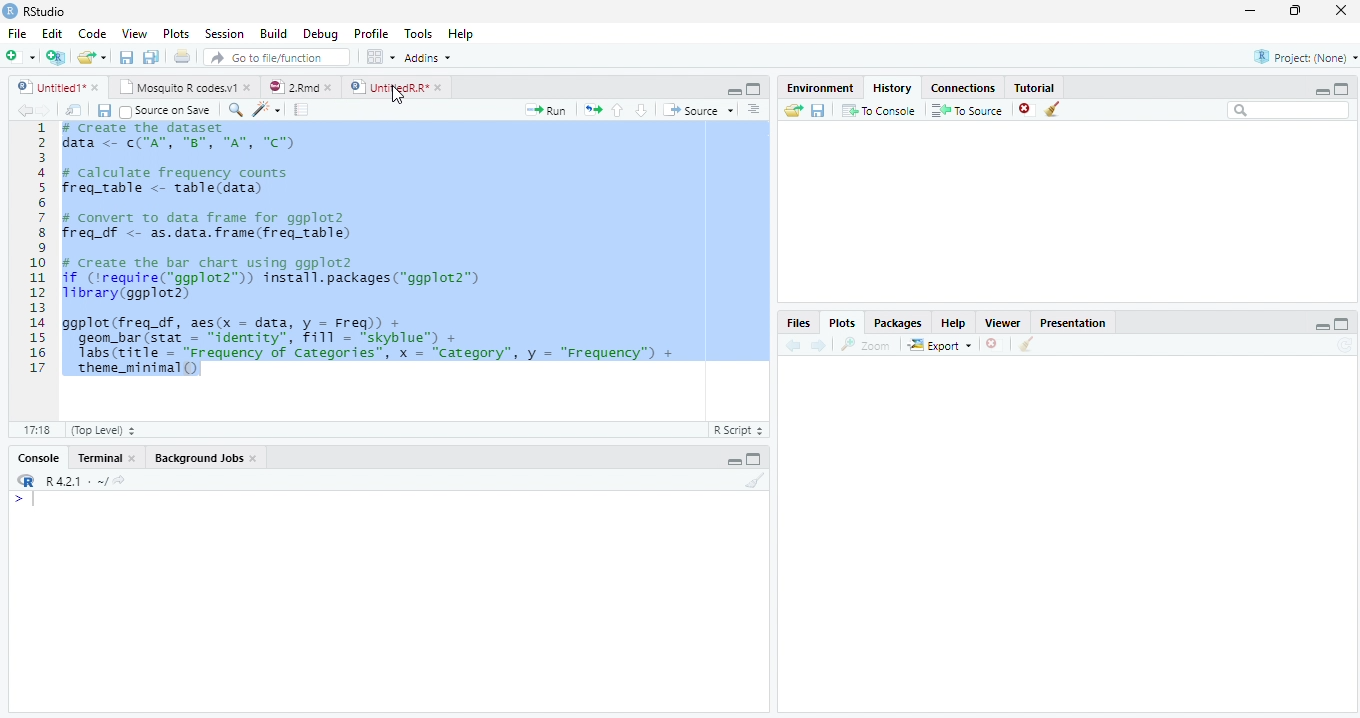  What do you see at coordinates (1323, 328) in the screenshot?
I see `Minimize` at bounding box center [1323, 328].